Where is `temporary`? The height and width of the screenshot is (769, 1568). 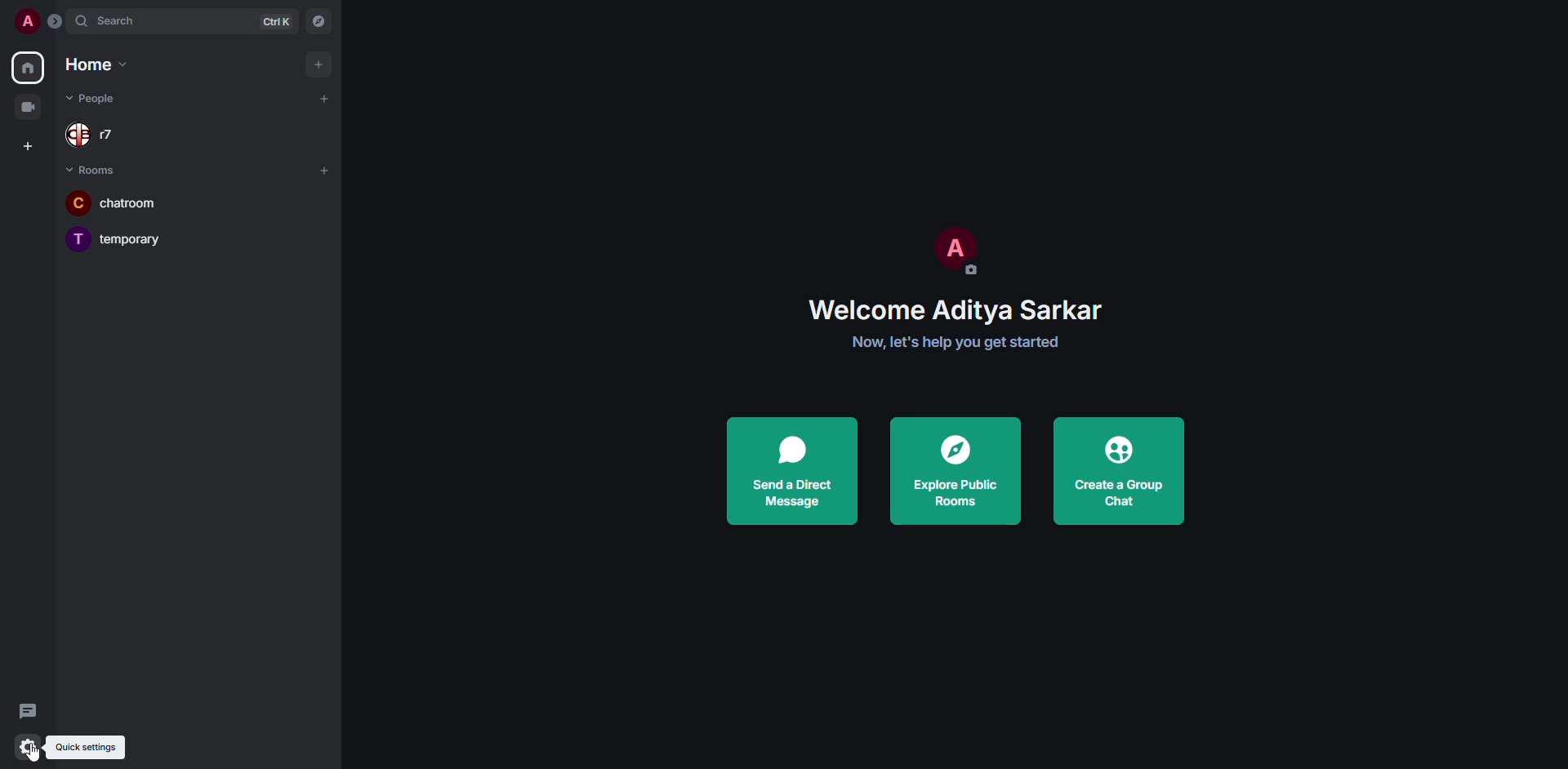 temporary is located at coordinates (120, 237).